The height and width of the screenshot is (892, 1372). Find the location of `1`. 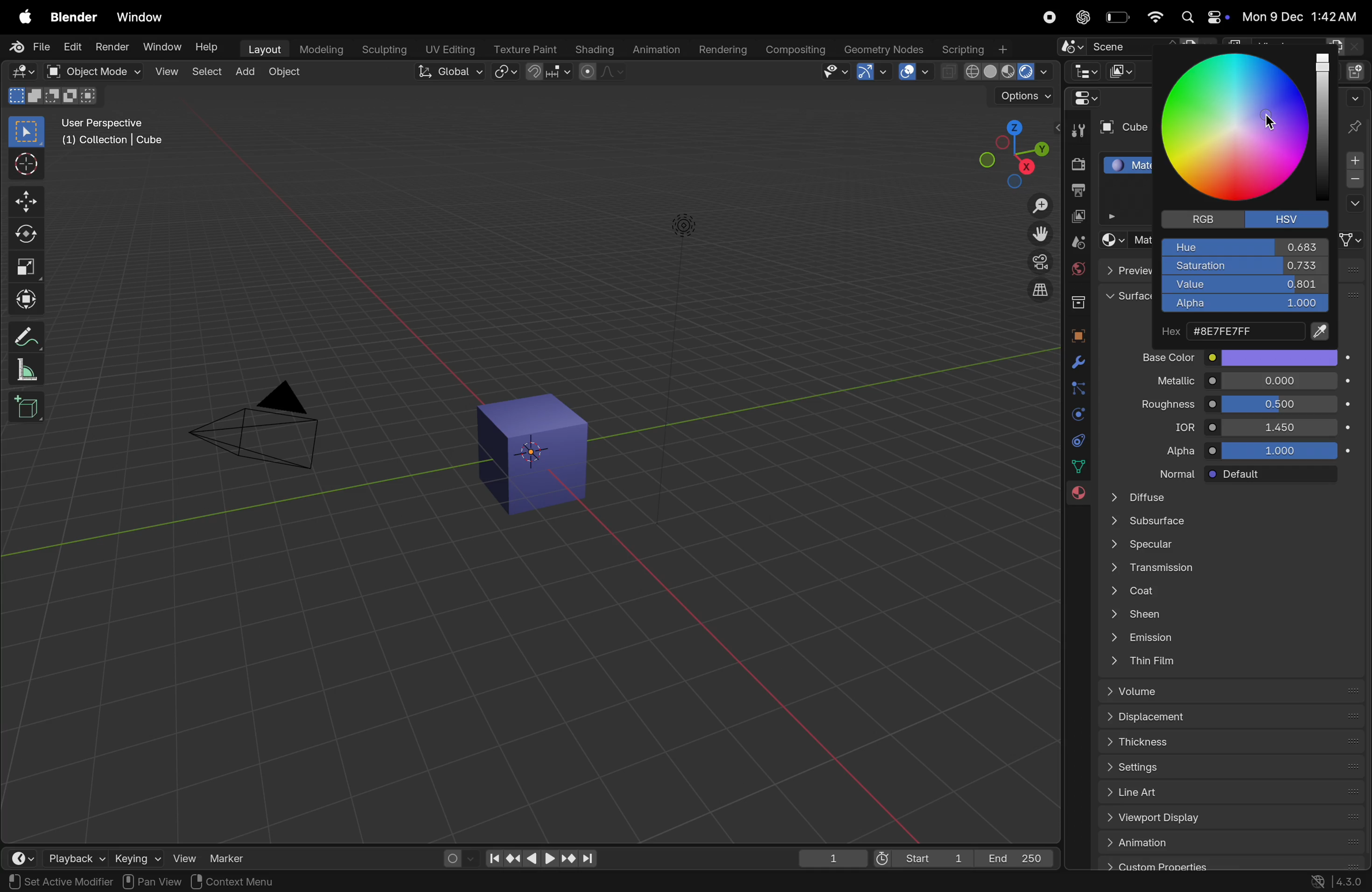

1 is located at coordinates (833, 859).